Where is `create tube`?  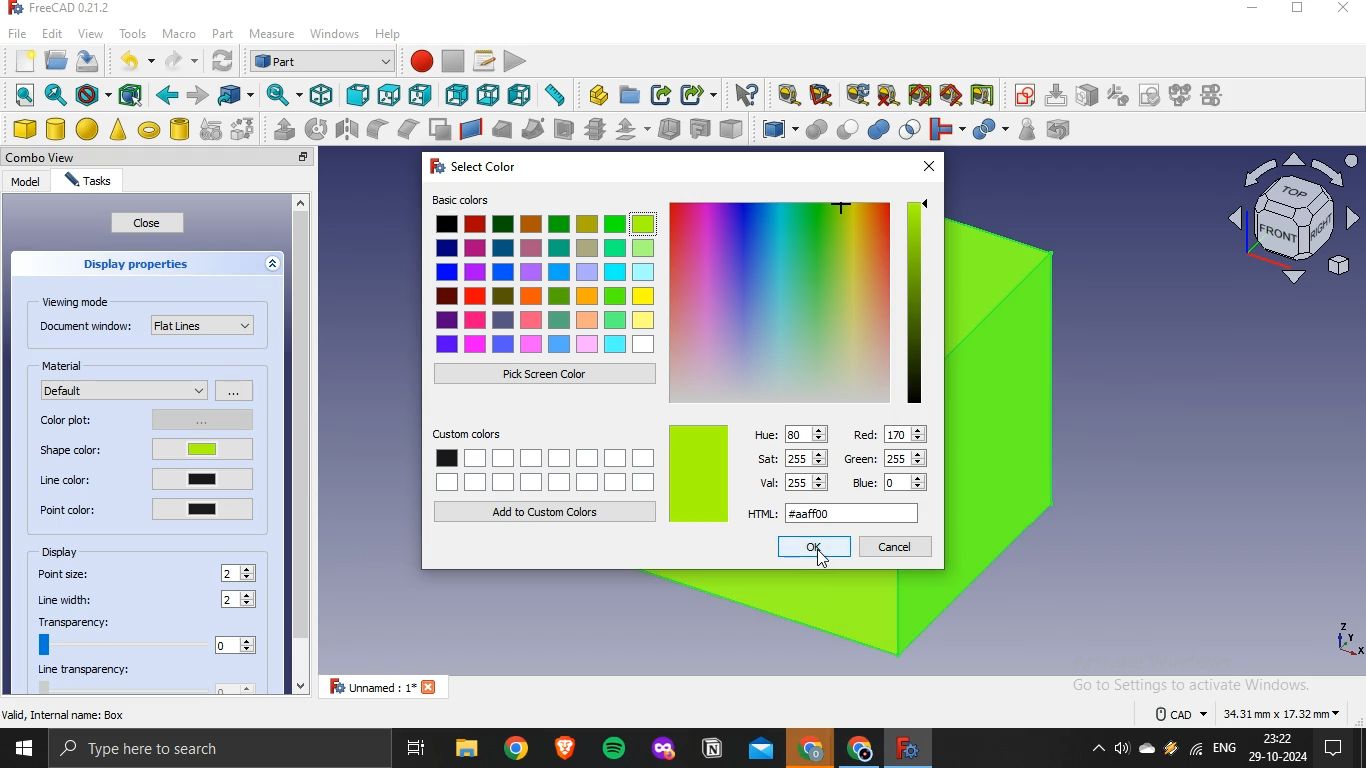 create tube is located at coordinates (179, 129).